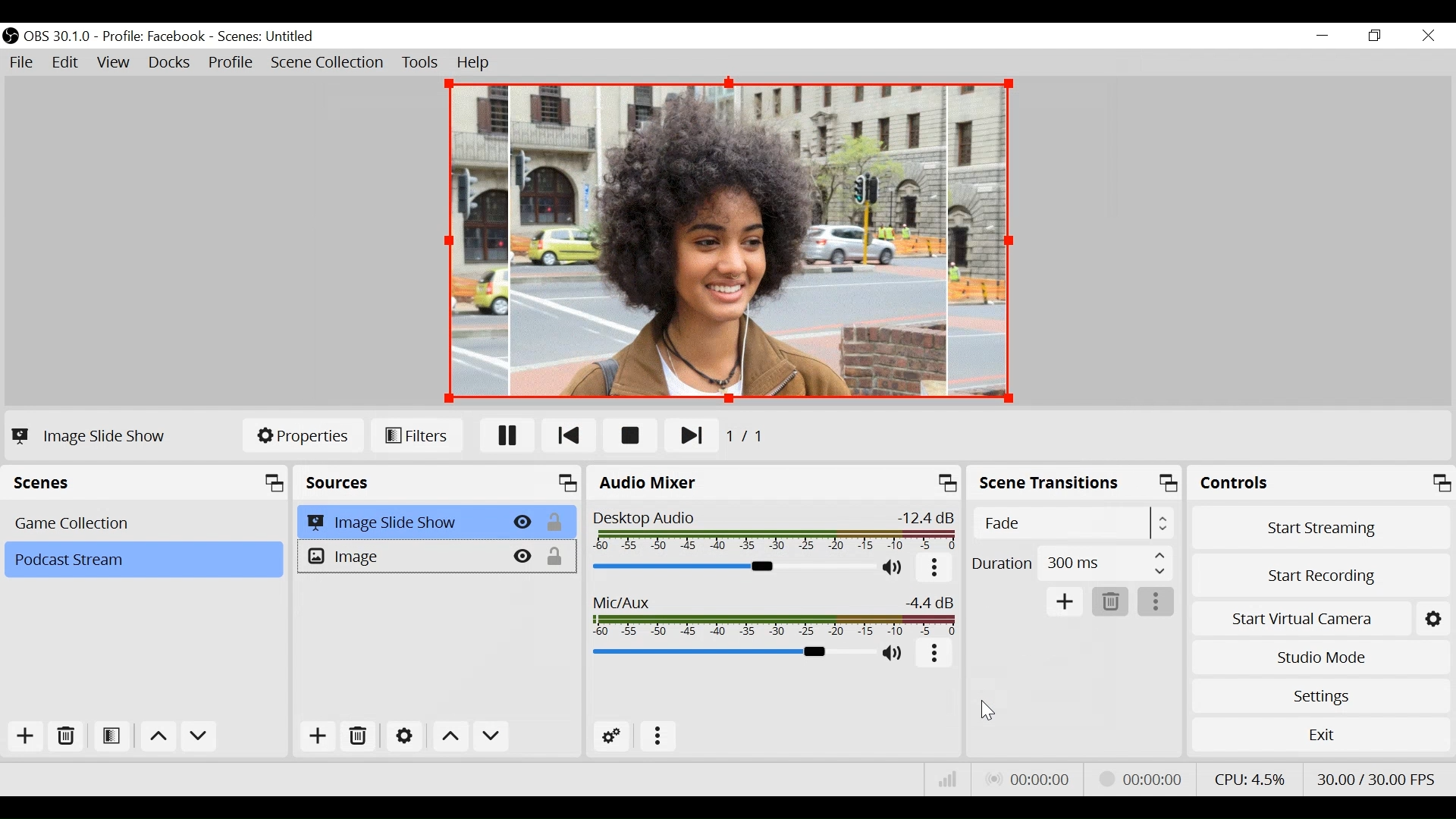 The height and width of the screenshot is (819, 1456). I want to click on Mic Slider, so click(730, 654).